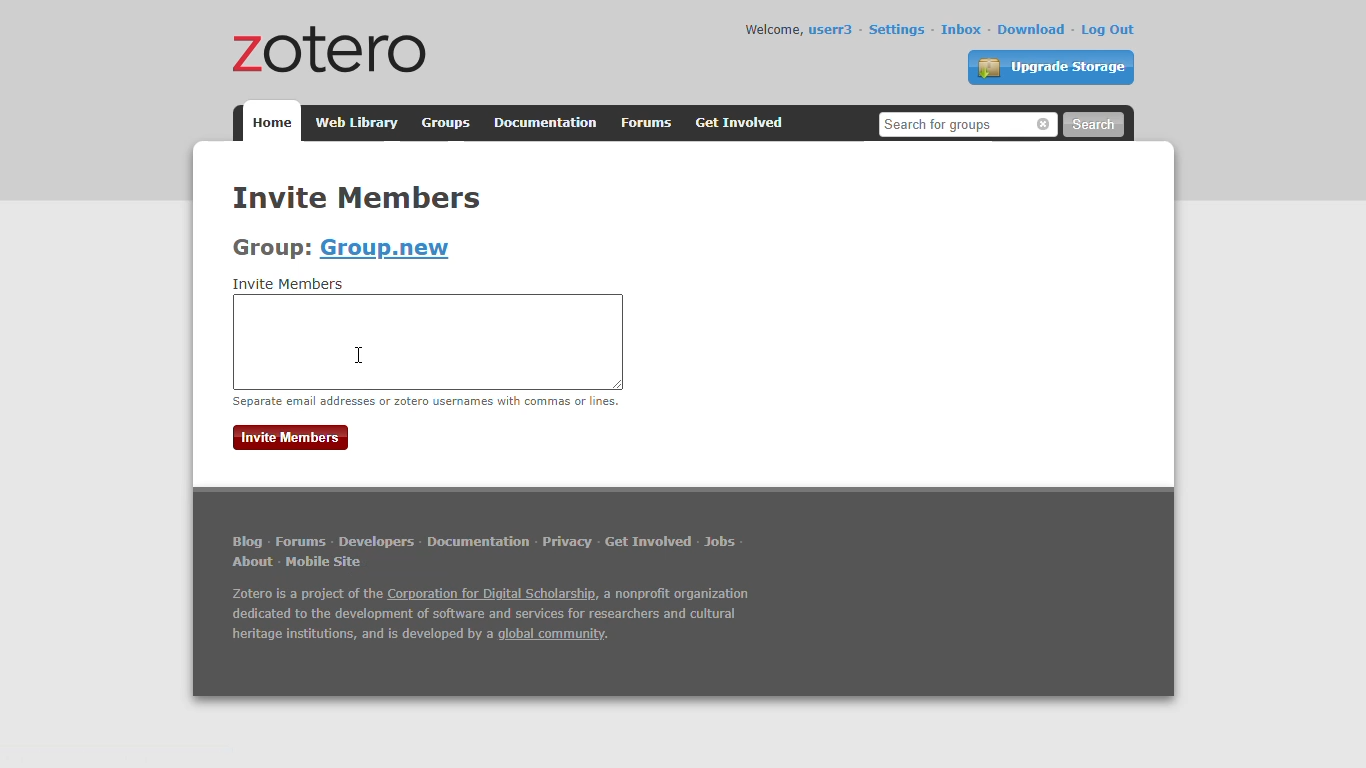 This screenshot has width=1366, height=768. Describe the element at coordinates (896, 29) in the screenshot. I see `settings` at that location.